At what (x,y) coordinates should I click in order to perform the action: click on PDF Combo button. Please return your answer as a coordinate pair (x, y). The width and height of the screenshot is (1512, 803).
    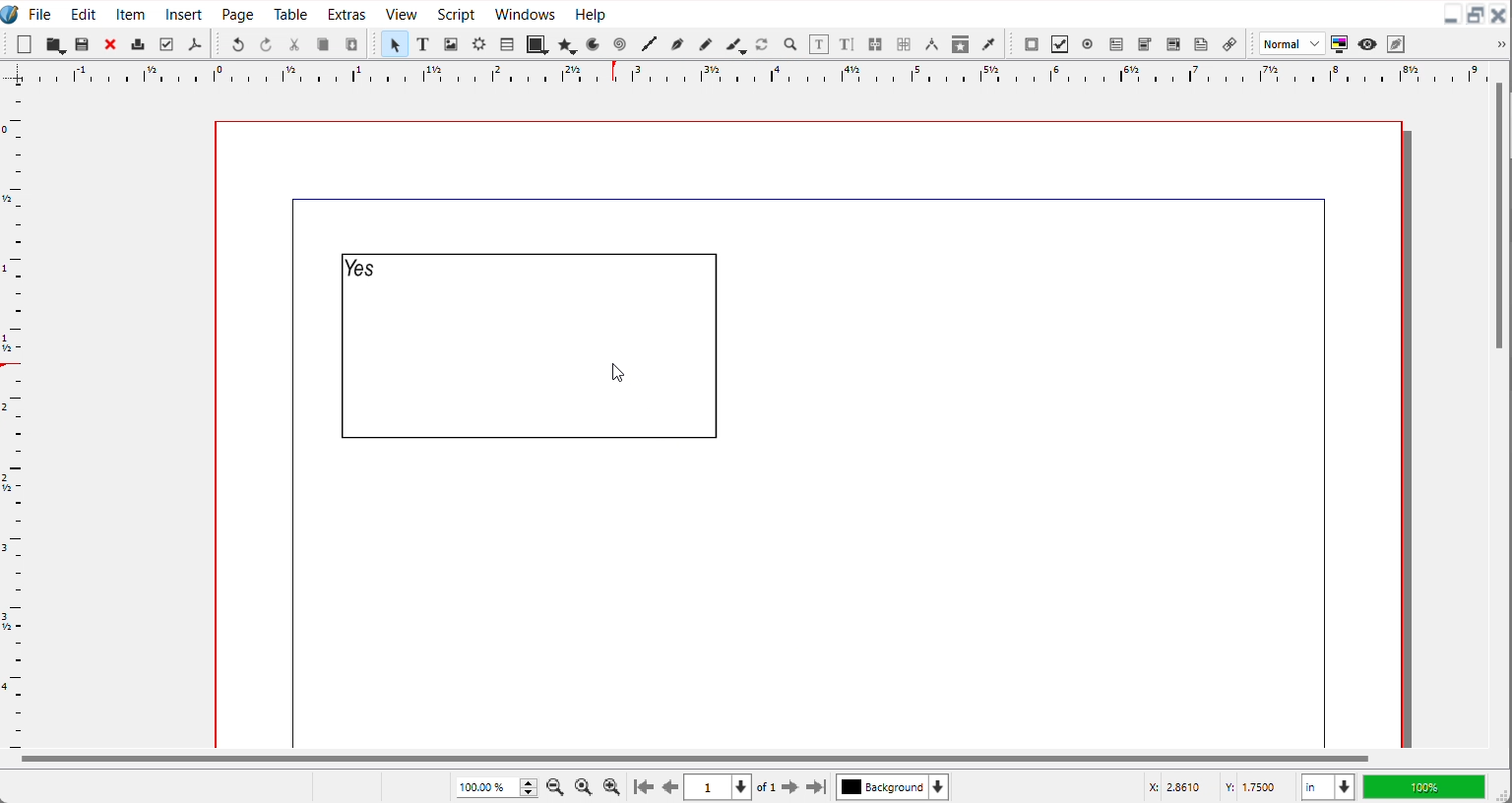
    Looking at the image, I should click on (1144, 44).